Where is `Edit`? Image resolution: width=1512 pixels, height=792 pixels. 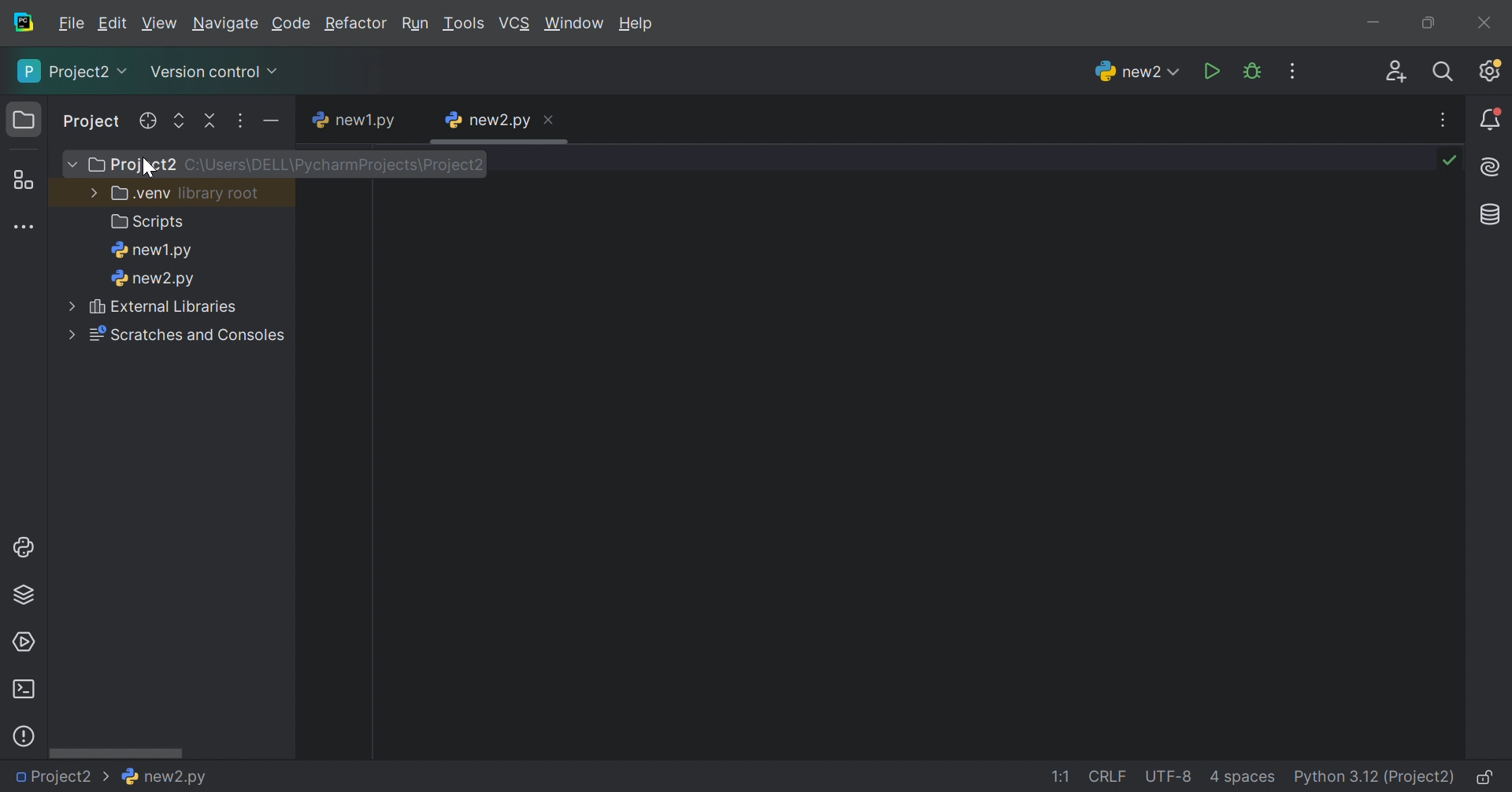
Edit is located at coordinates (113, 23).